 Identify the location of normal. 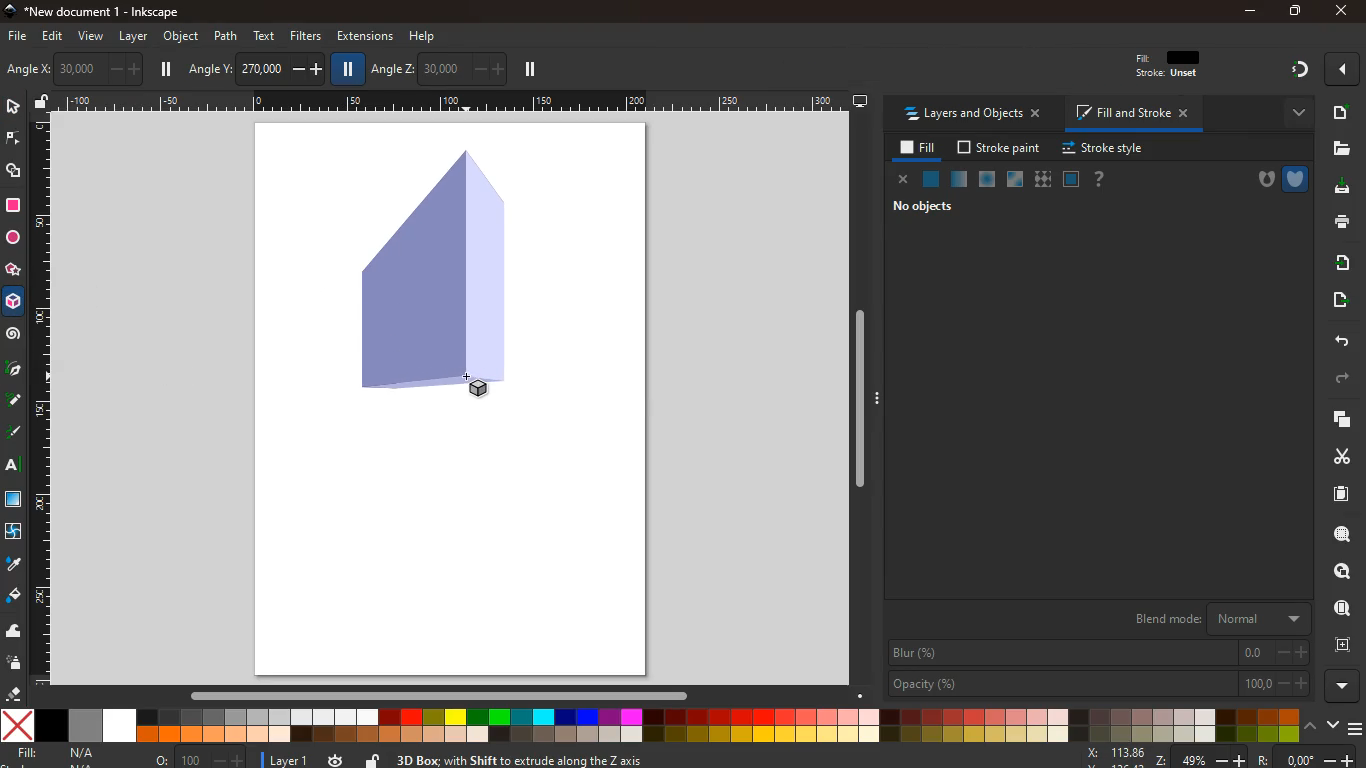
(932, 180).